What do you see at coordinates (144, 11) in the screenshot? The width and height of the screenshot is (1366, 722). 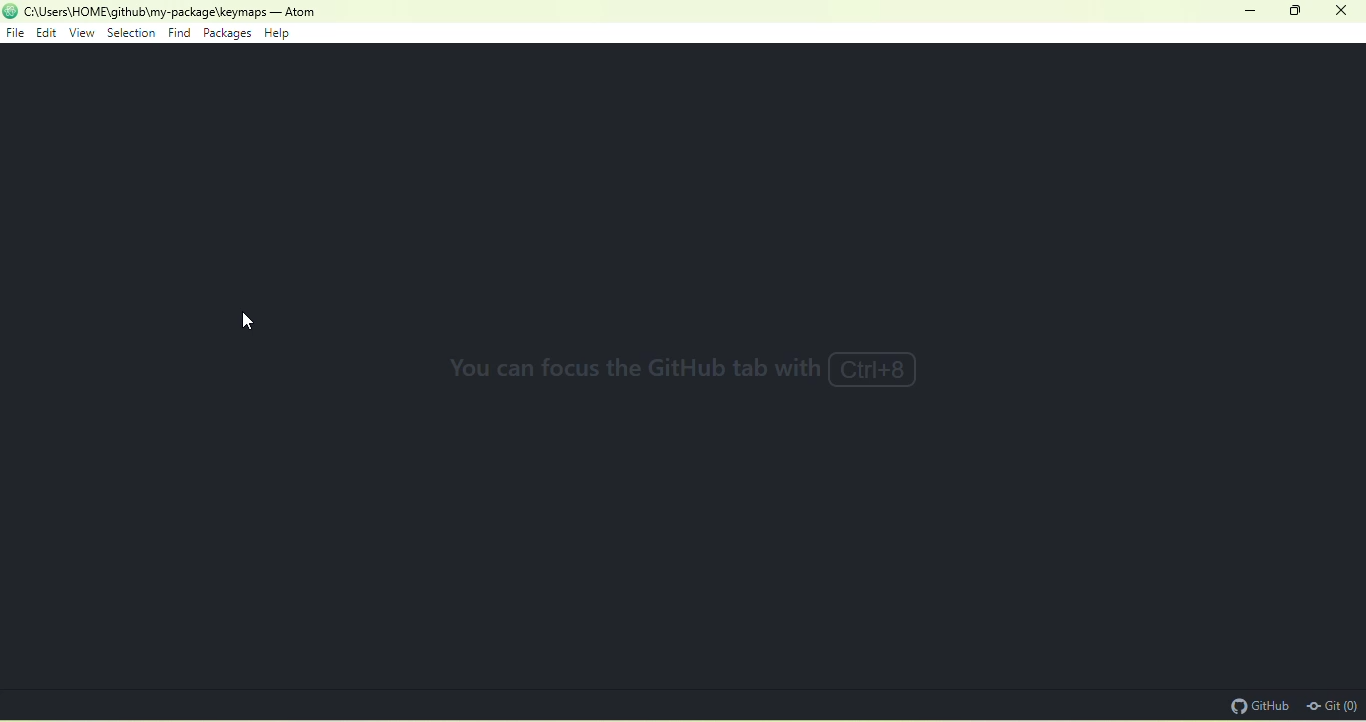 I see `current directory` at bounding box center [144, 11].